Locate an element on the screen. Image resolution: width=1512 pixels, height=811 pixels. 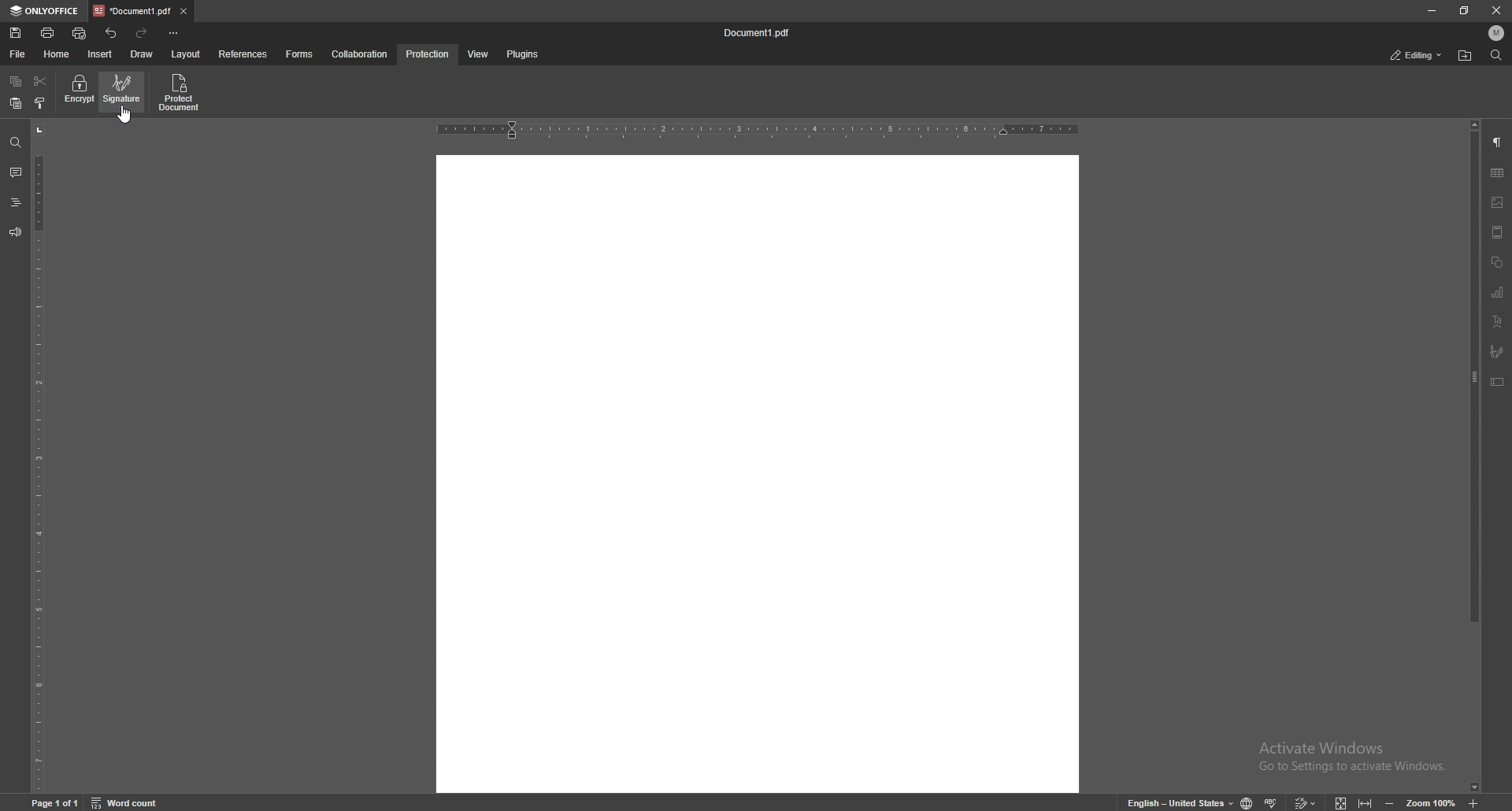
chart is located at coordinates (1498, 293).